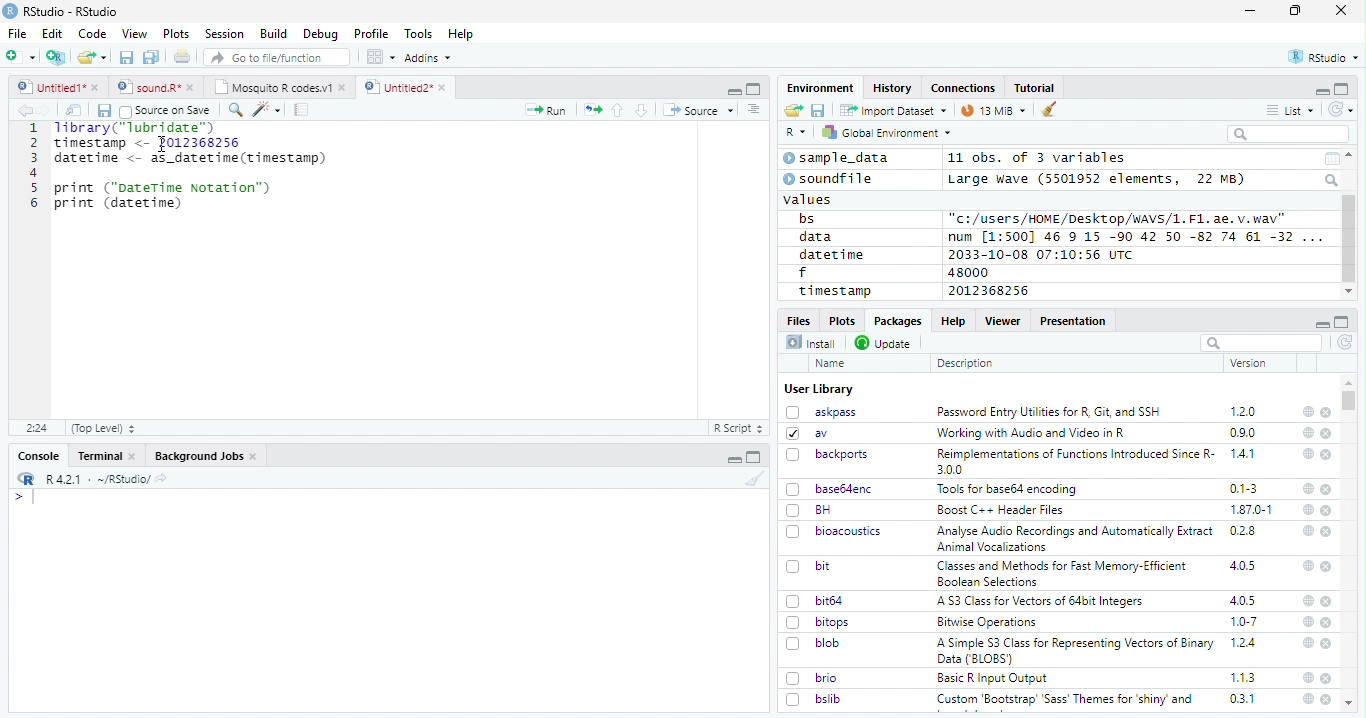 The width and height of the screenshot is (1366, 718). I want to click on bs, so click(807, 219).